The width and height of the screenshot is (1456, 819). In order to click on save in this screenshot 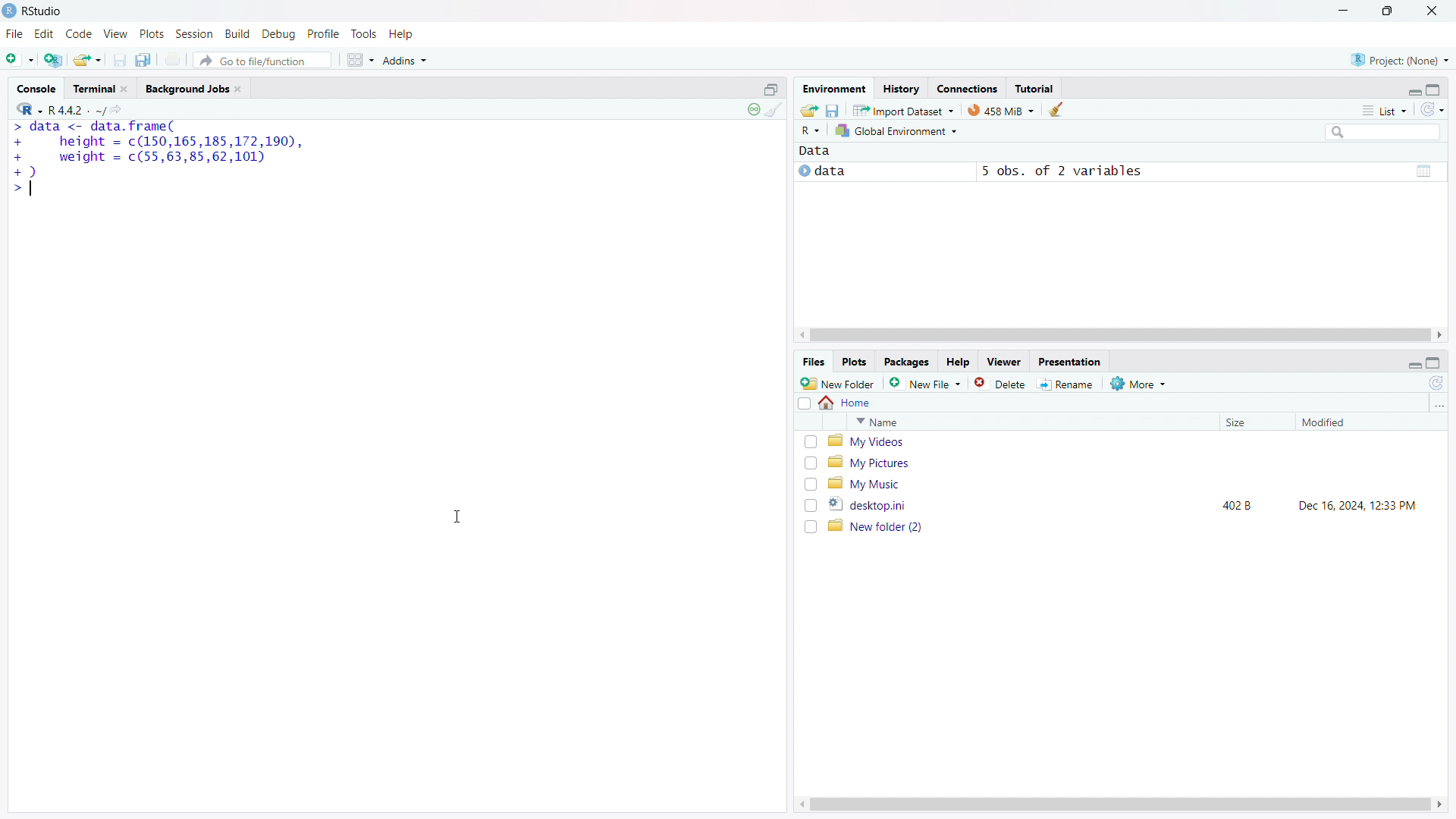, I will do `click(120, 60)`.